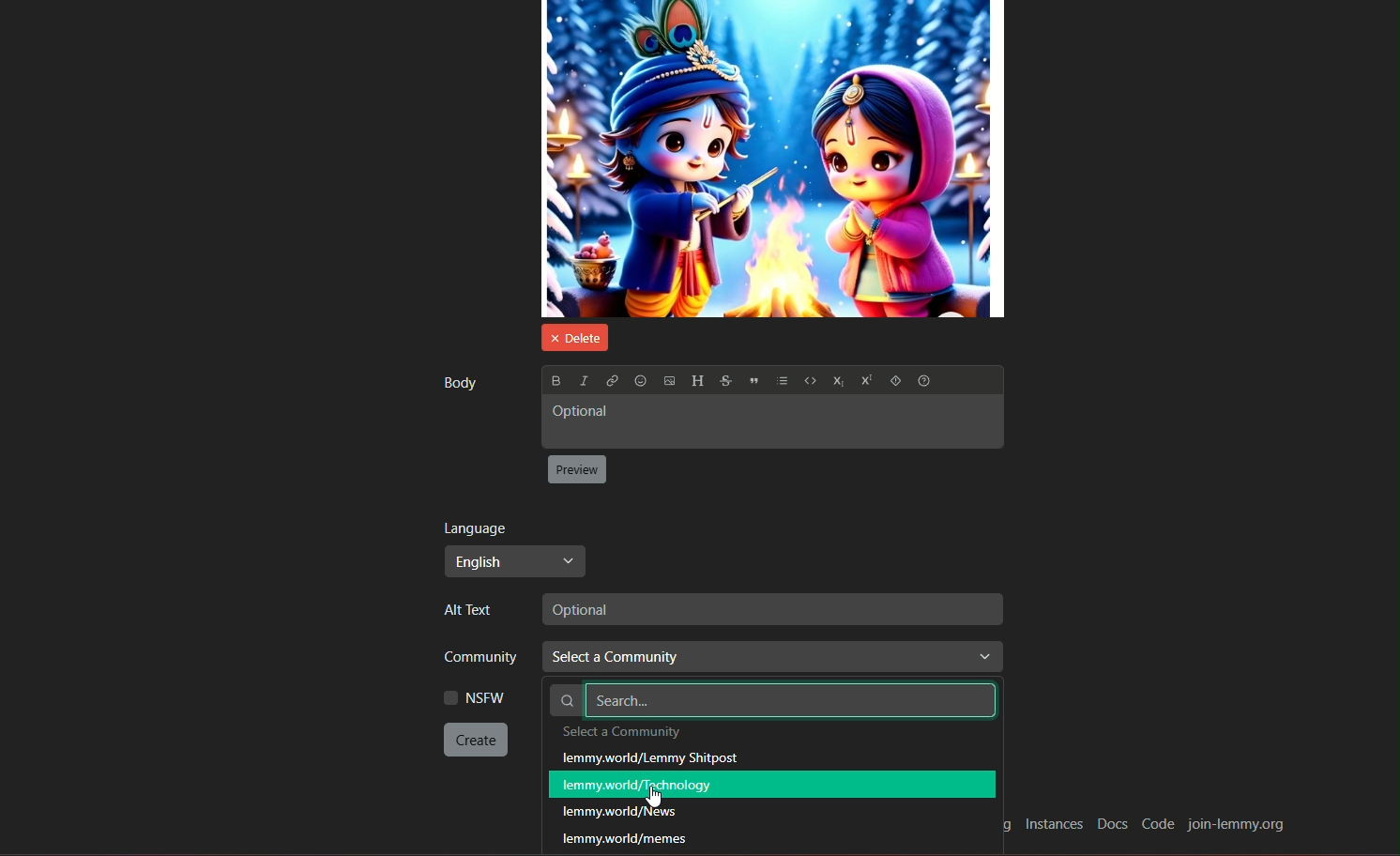  What do you see at coordinates (927, 382) in the screenshot?
I see `` at bounding box center [927, 382].